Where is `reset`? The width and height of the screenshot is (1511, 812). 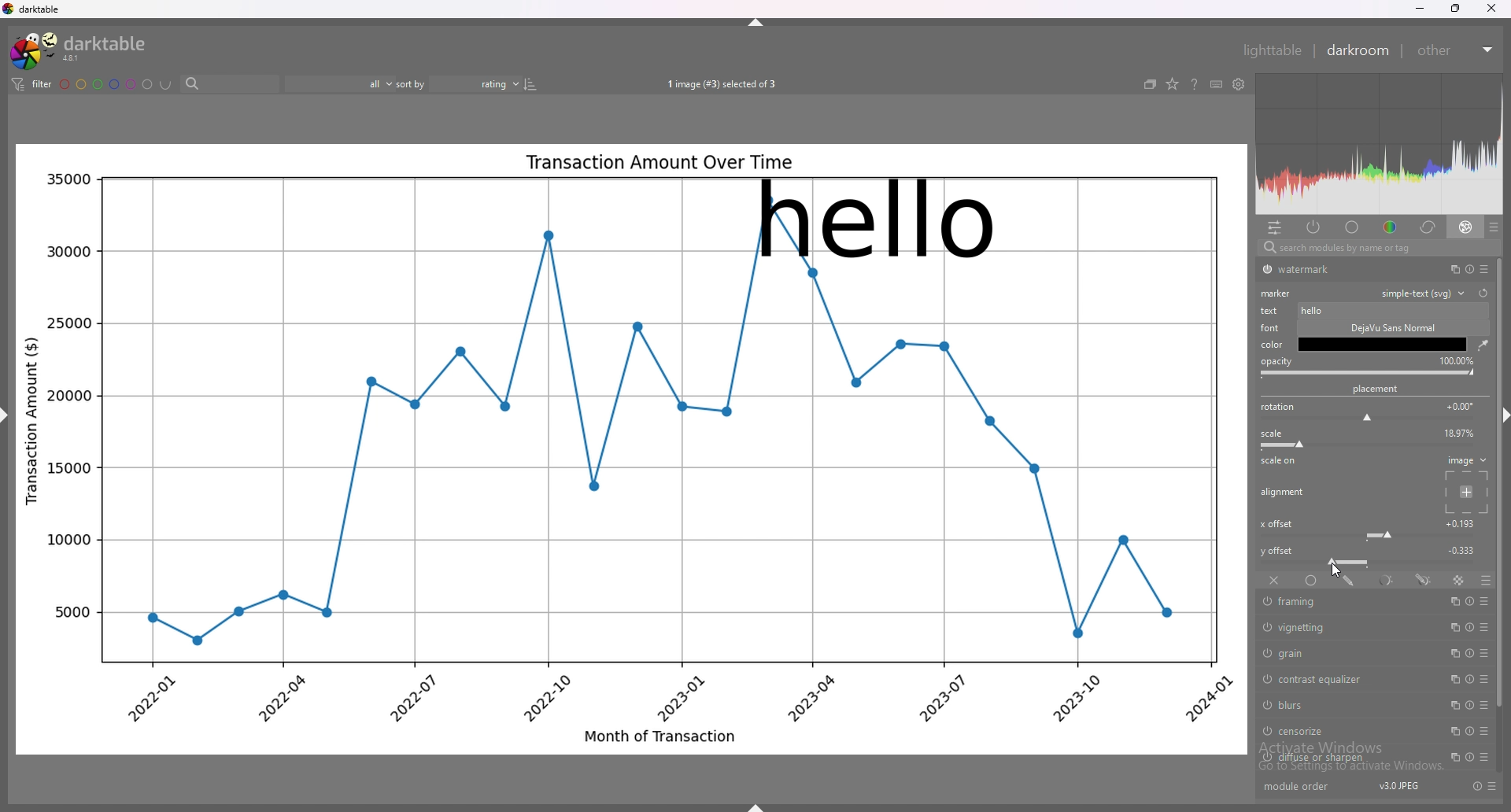 reset is located at coordinates (1469, 628).